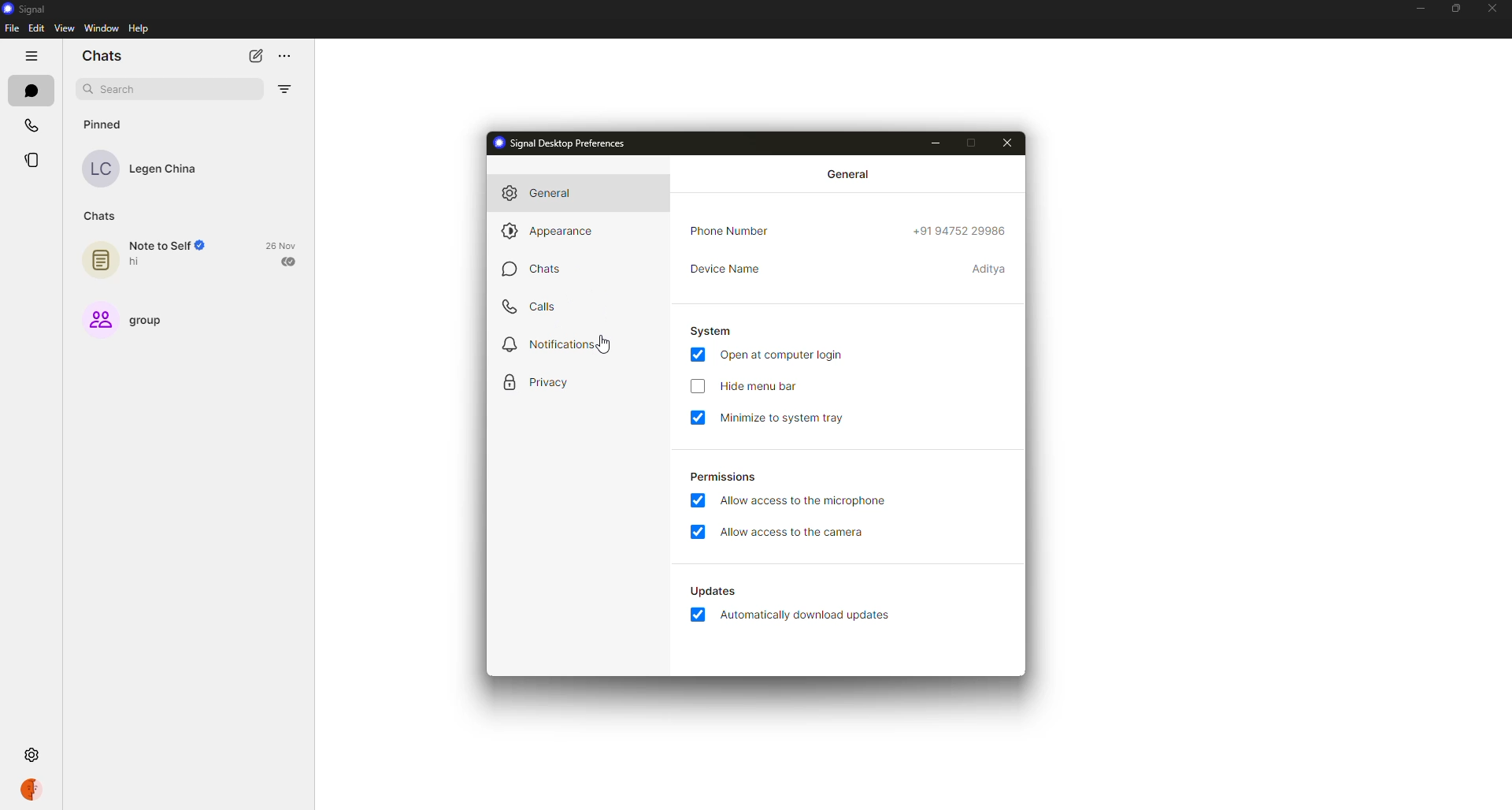  Describe the element at coordinates (66, 30) in the screenshot. I see `view` at that location.